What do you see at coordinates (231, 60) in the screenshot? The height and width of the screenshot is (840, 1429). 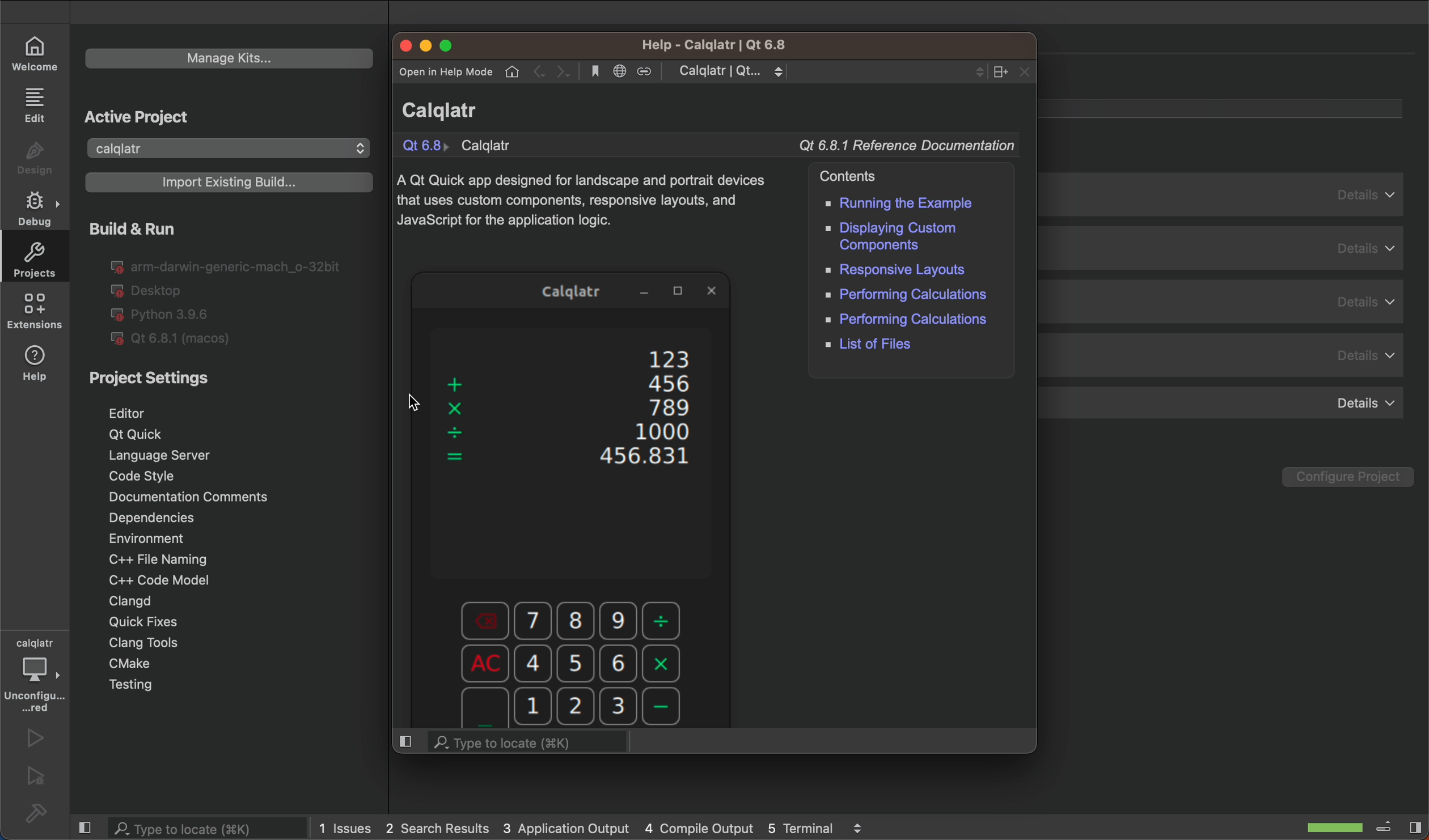 I see `Manage Kits` at bounding box center [231, 60].